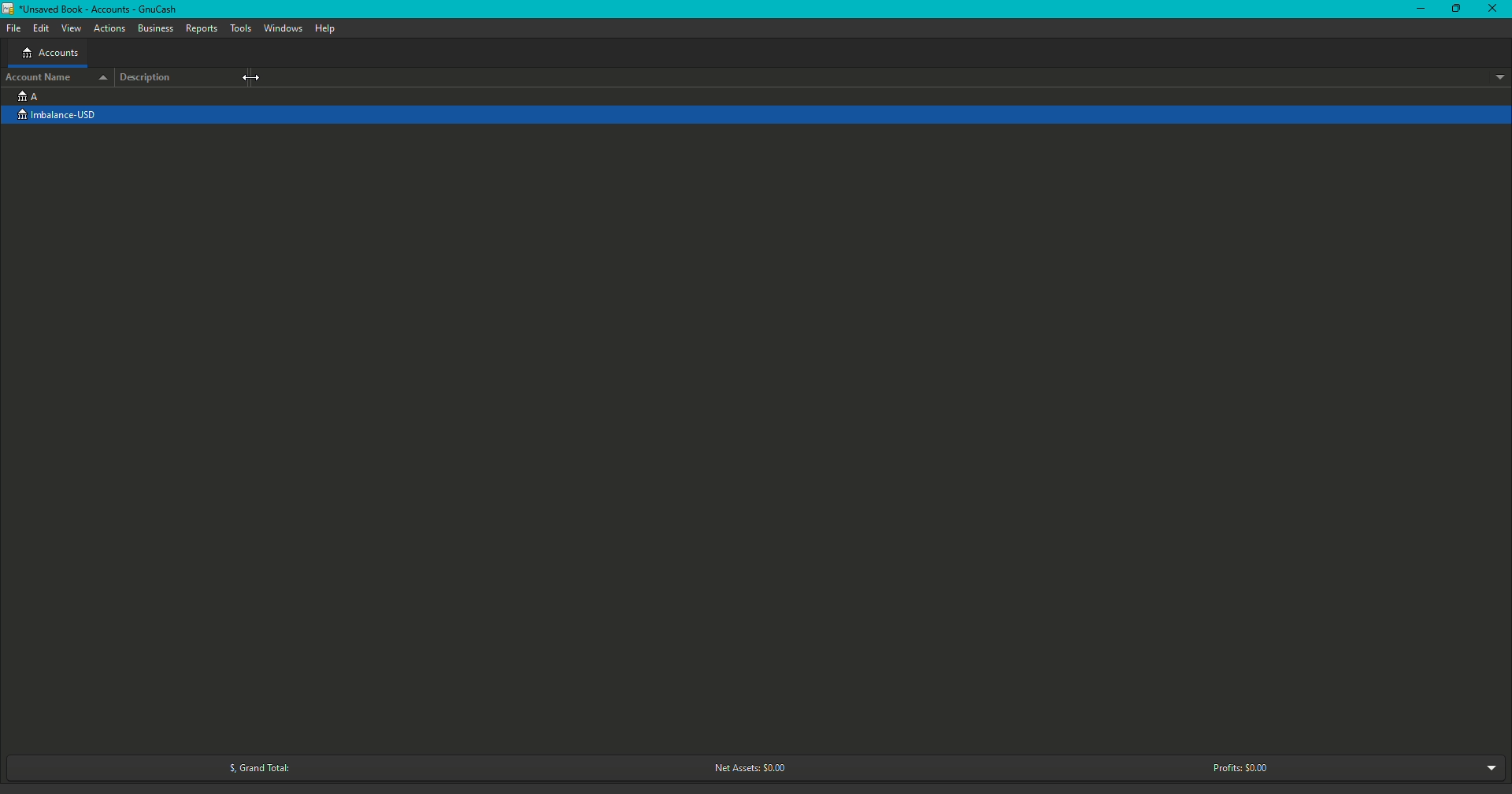 The image size is (1512, 794). Describe the element at coordinates (72, 29) in the screenshot. I see `View` at that location.